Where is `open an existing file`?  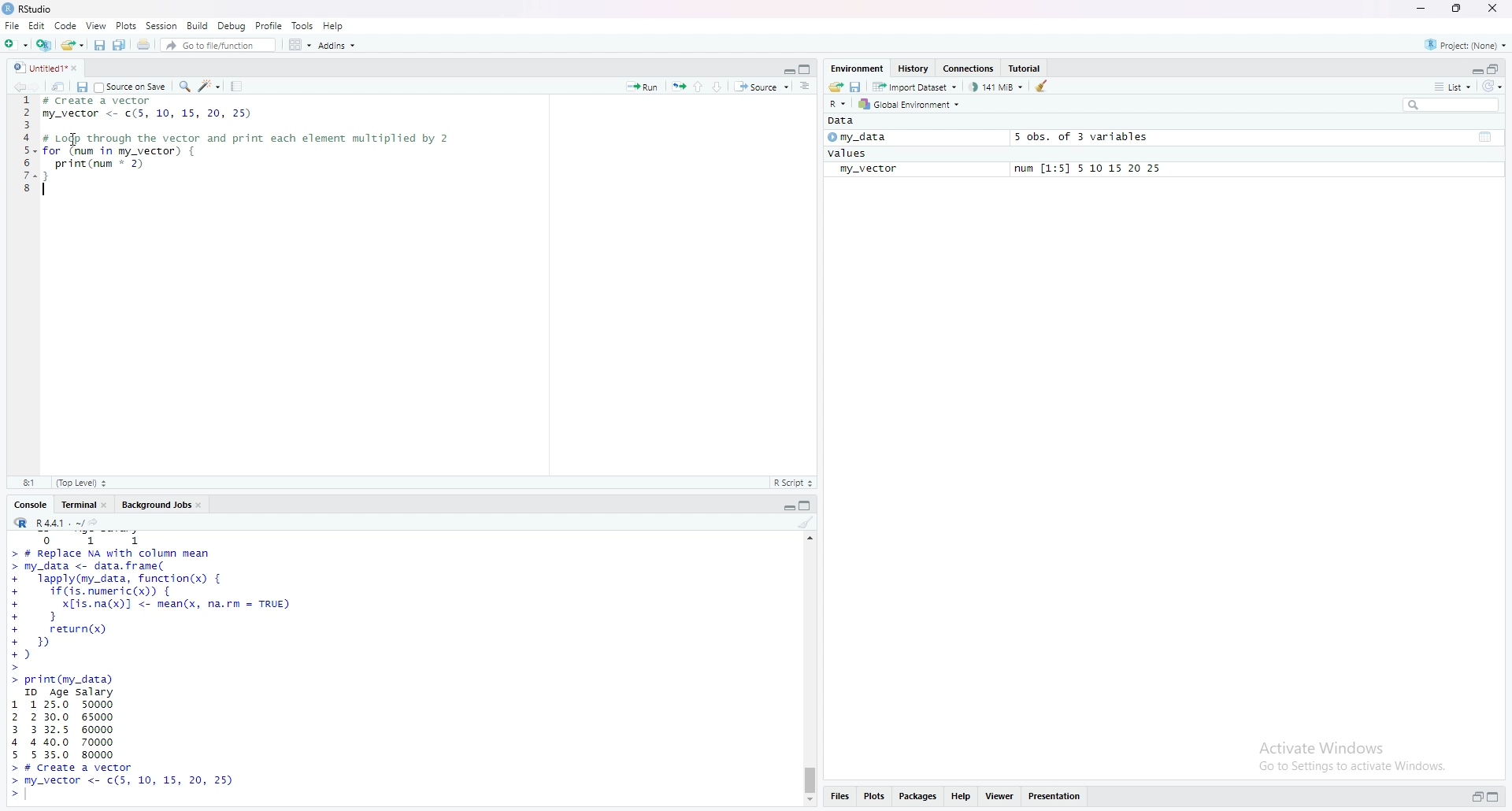
open an existing file is located at coordinates (73, 46).